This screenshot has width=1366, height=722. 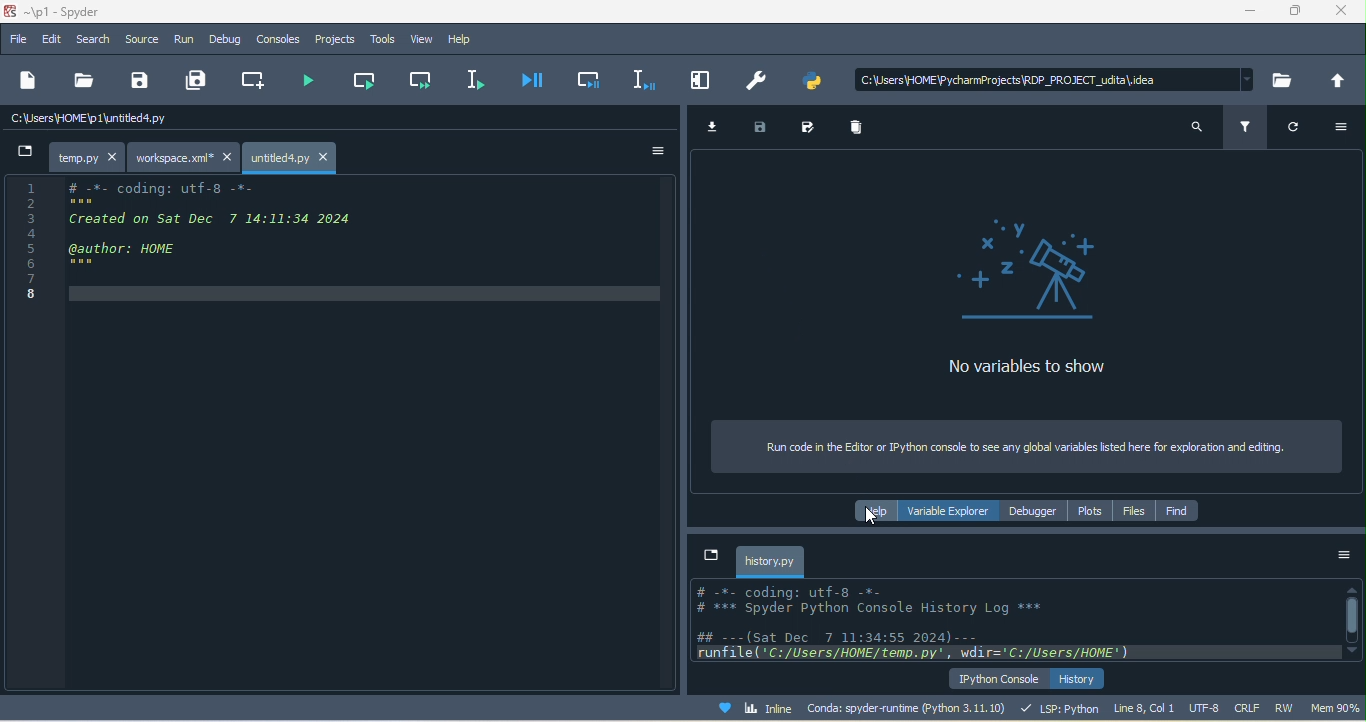 I want to click on , so click(x=860, y=129).